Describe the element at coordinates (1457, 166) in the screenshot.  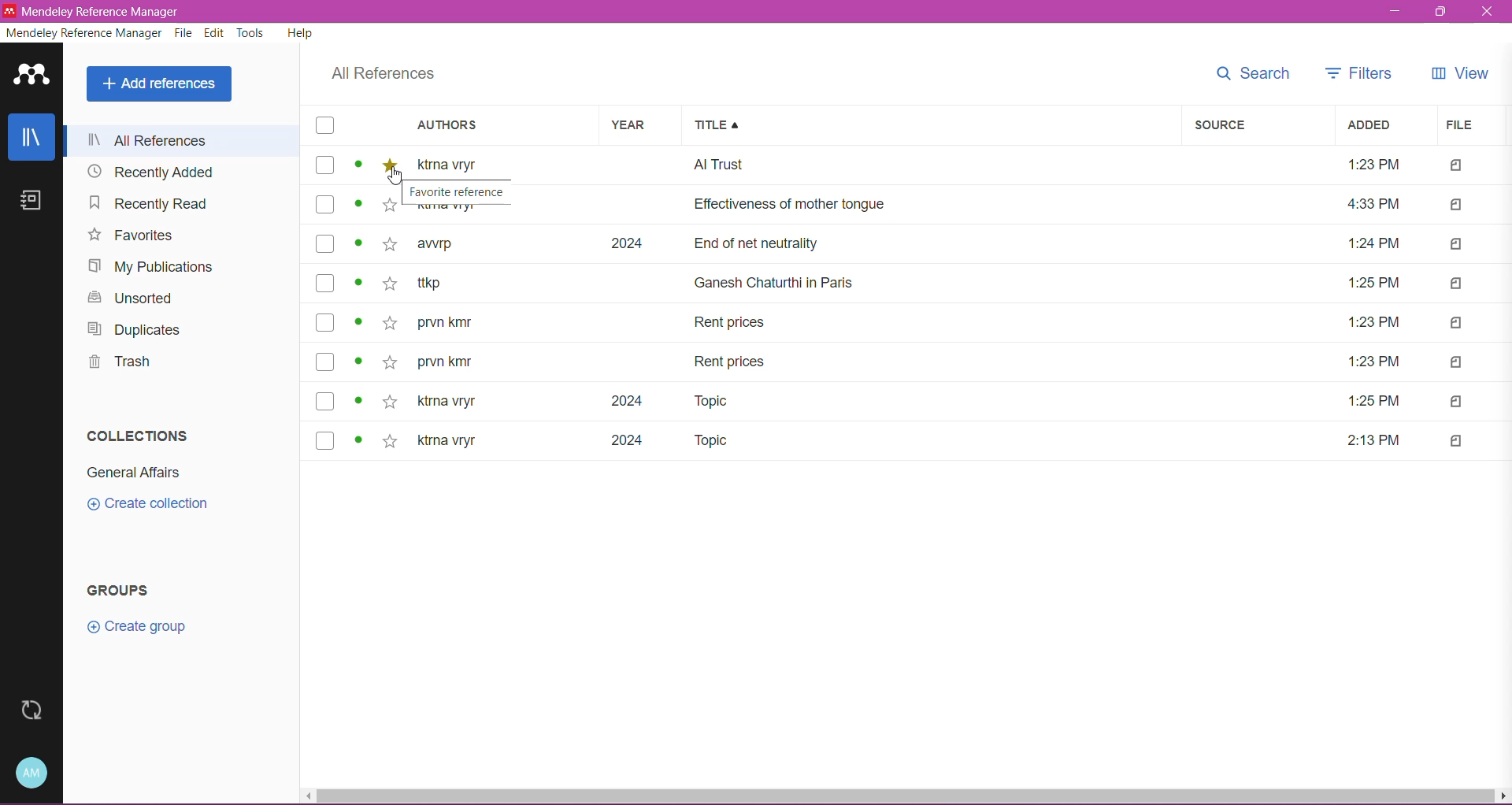
I see `Indicates file type` at that location.